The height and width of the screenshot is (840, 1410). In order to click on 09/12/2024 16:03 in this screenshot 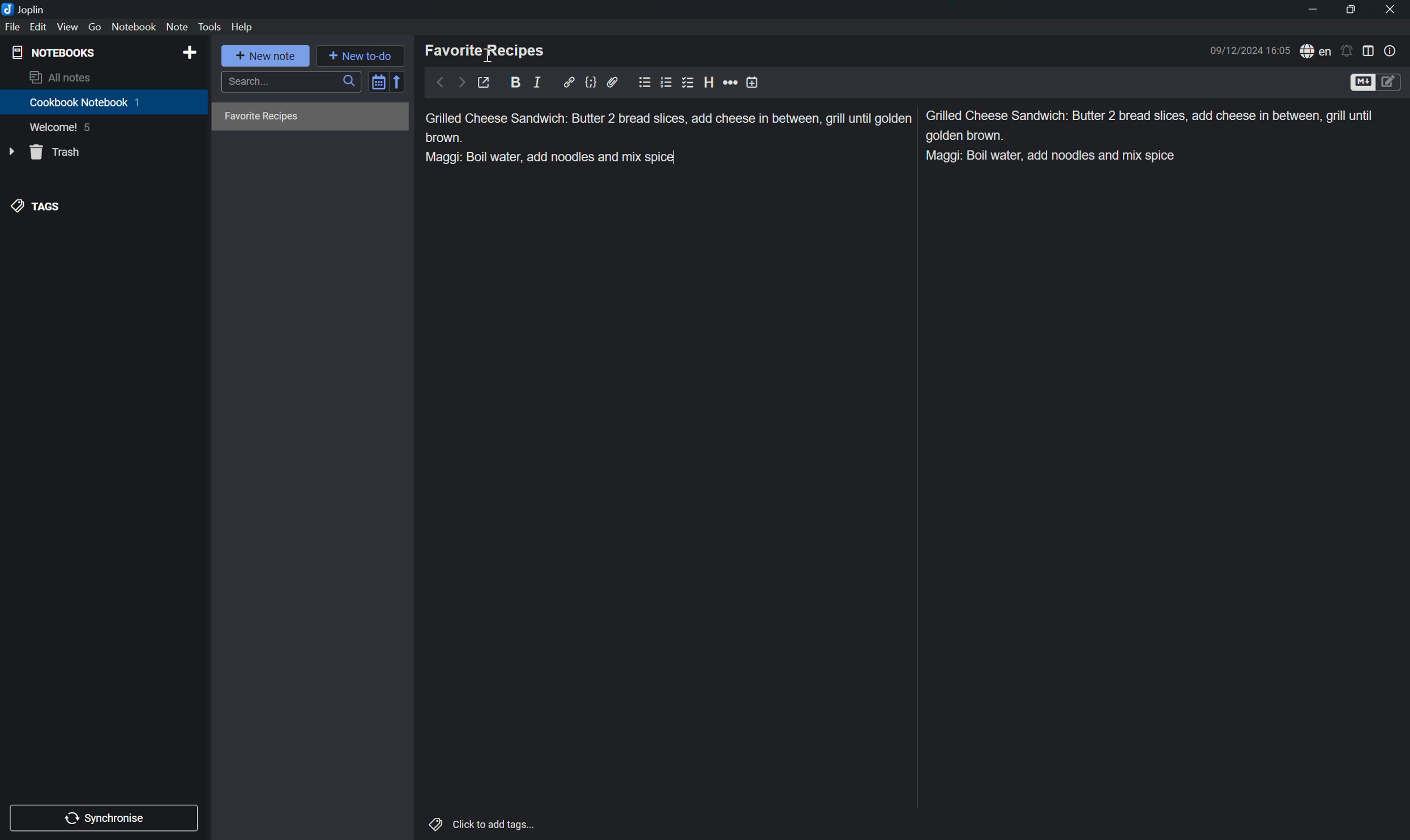, I will do `click(1249, 50)`.